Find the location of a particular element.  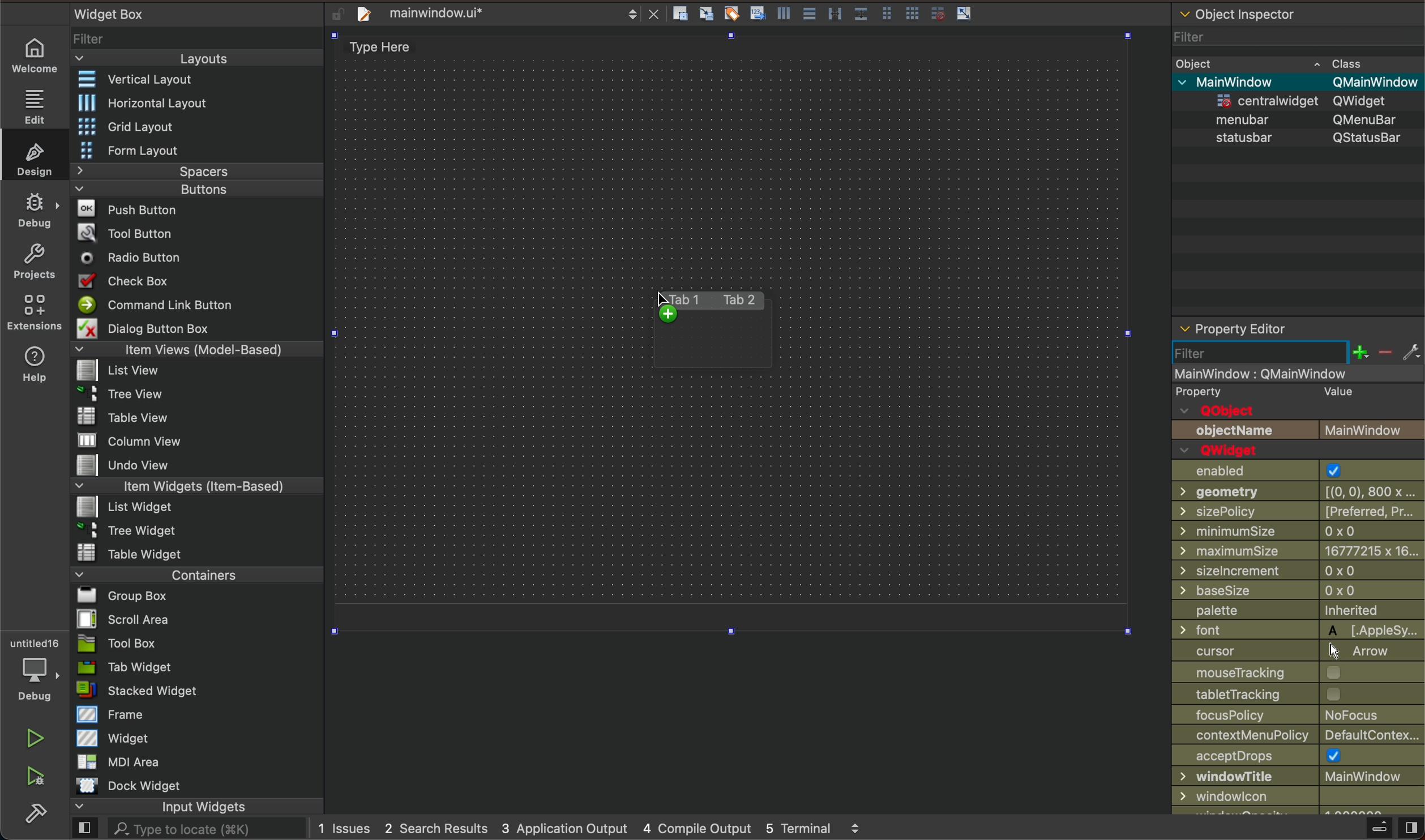

projects is located at coordinates (36, 261).